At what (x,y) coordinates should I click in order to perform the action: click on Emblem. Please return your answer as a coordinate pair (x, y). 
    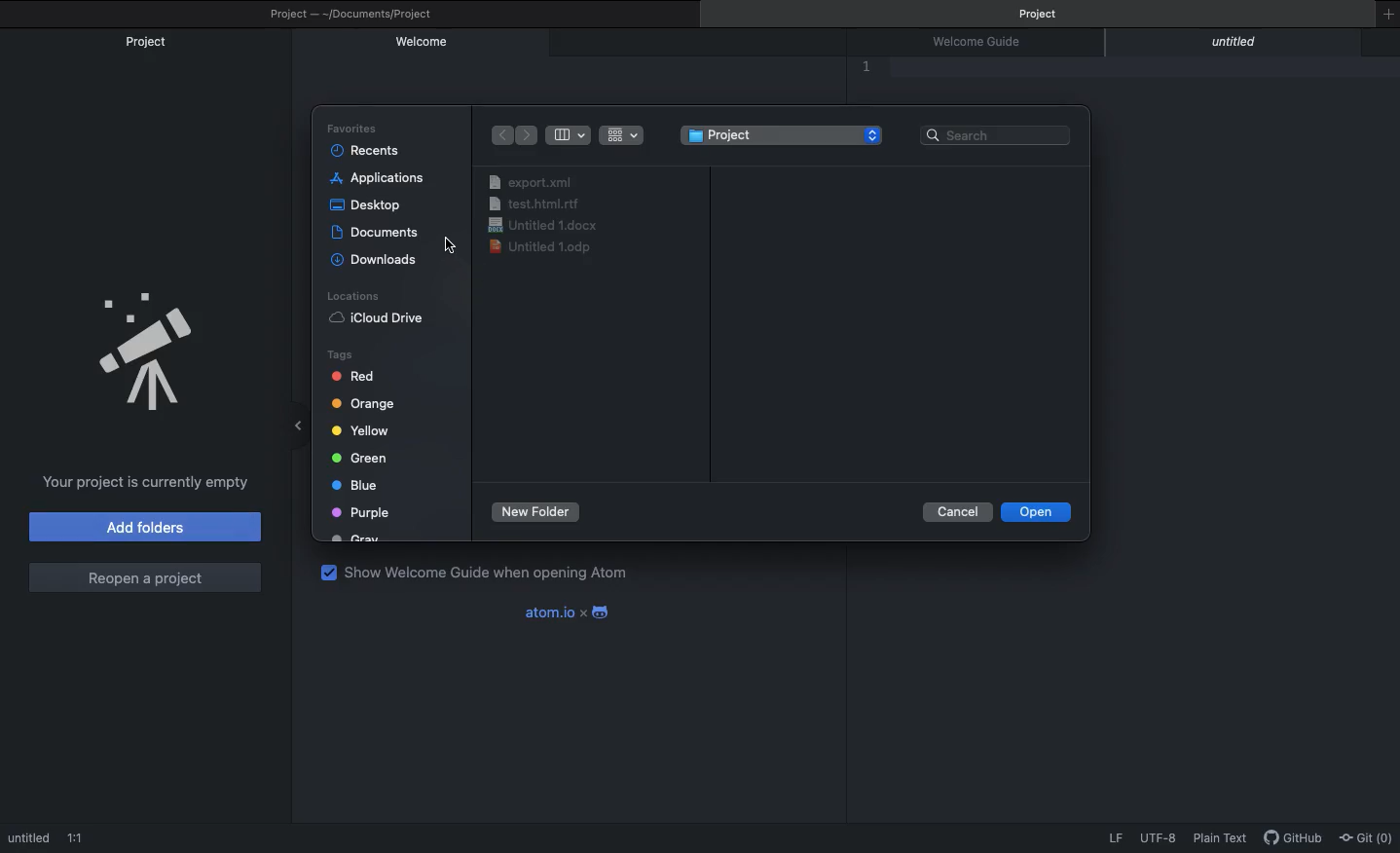
    Looking at the image, I should click on (158, 343).